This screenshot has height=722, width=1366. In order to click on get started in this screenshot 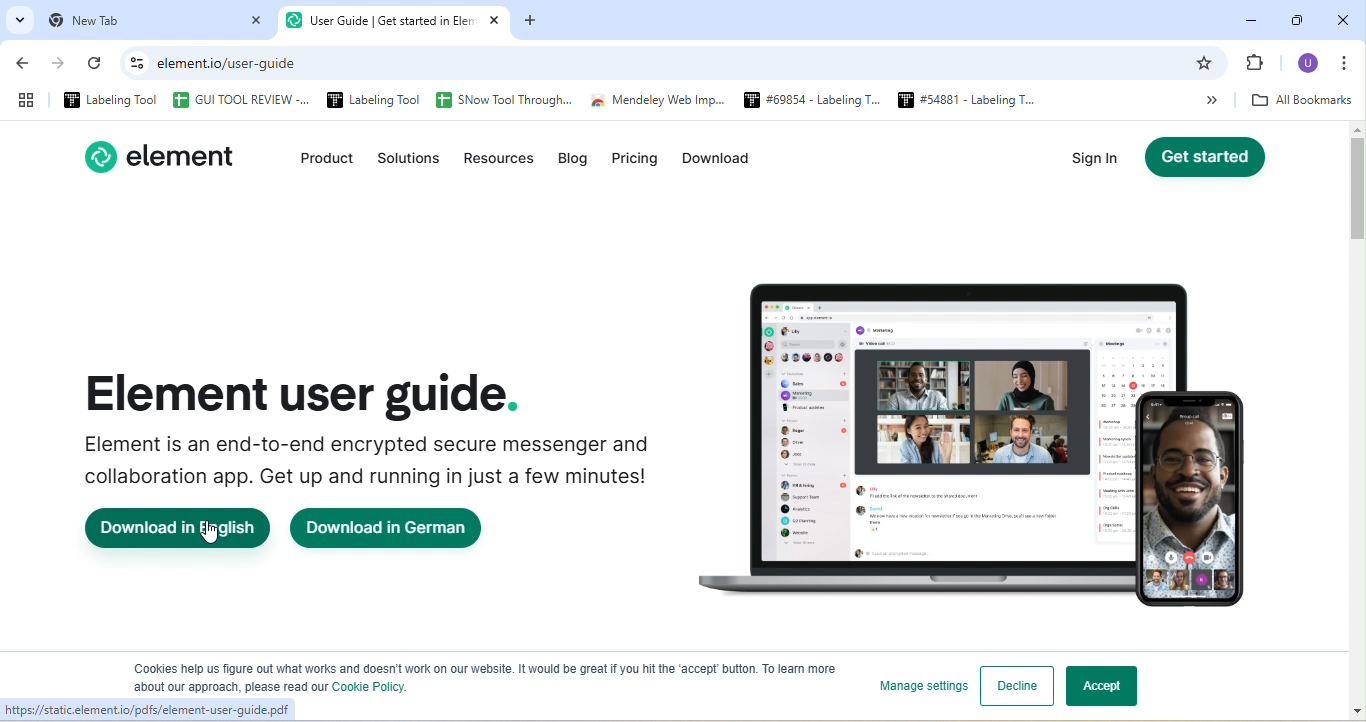, I will do `click(1206, 158)`.